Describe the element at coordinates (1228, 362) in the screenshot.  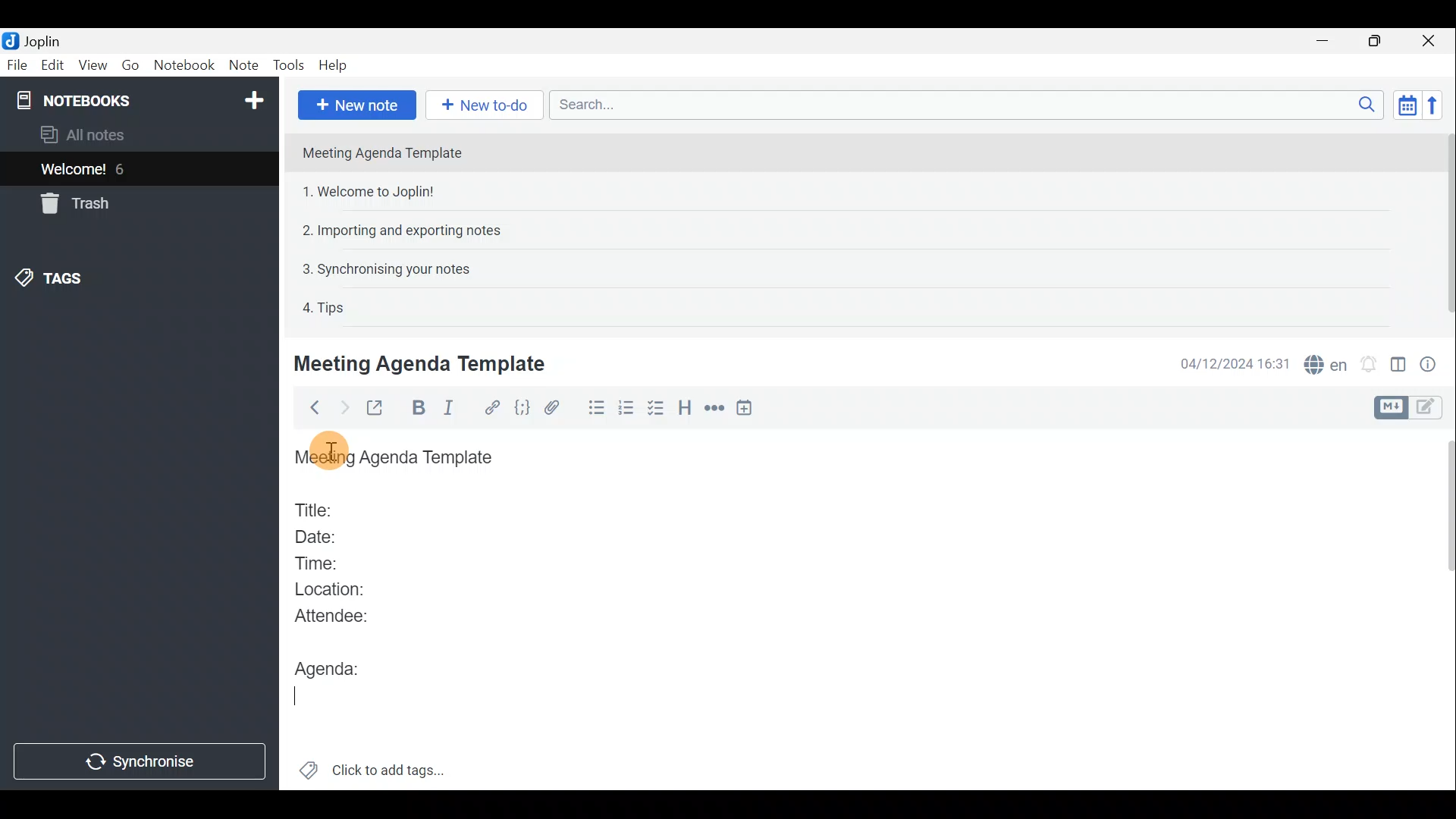
I see `04/12/2024 16:31` at that location.